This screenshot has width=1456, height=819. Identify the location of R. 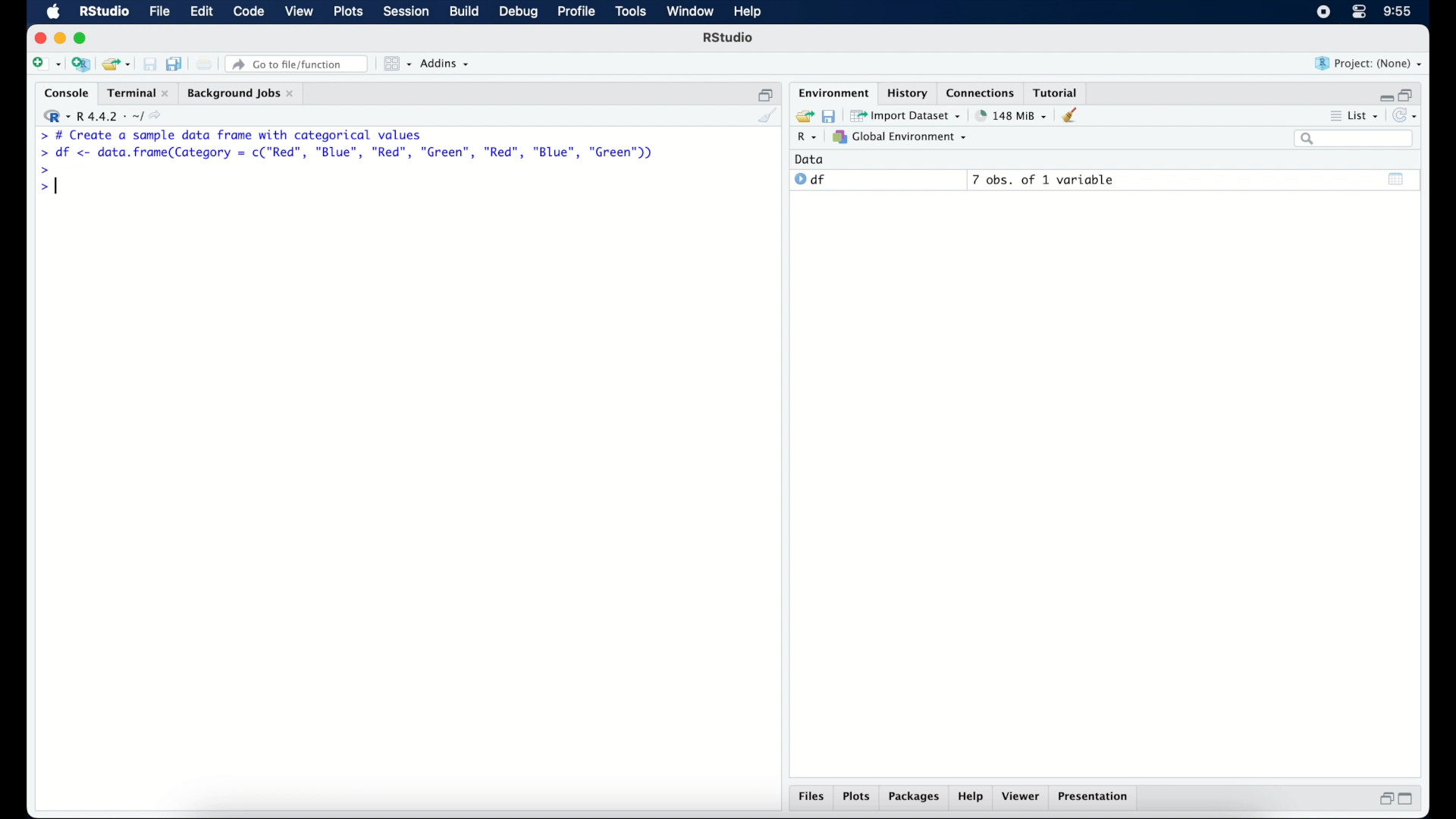
(810, 138).